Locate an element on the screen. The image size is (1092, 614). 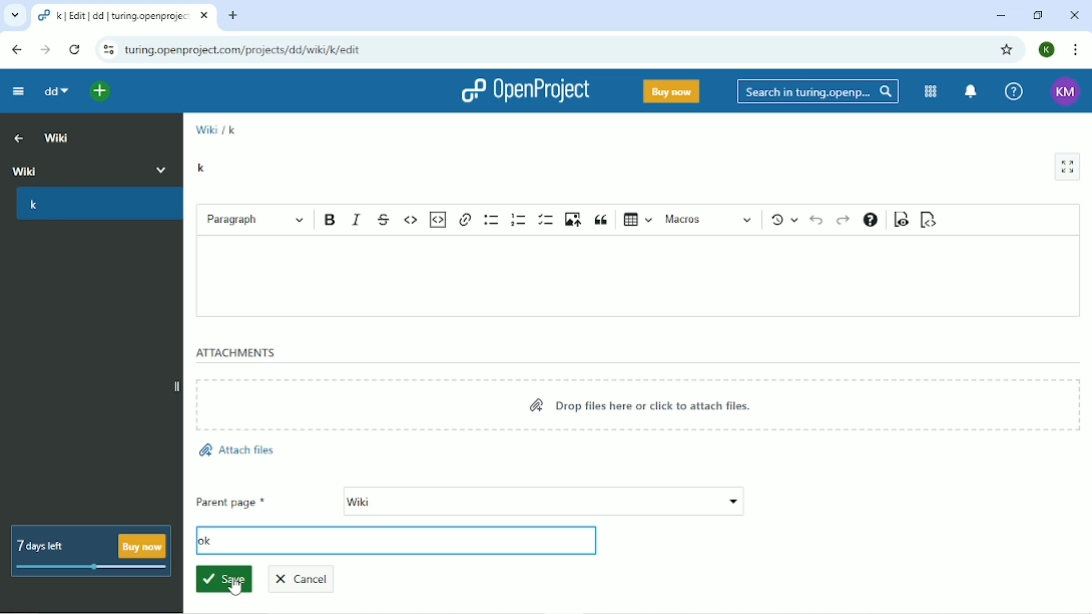
Minimize is located at coordinates (999, 15).